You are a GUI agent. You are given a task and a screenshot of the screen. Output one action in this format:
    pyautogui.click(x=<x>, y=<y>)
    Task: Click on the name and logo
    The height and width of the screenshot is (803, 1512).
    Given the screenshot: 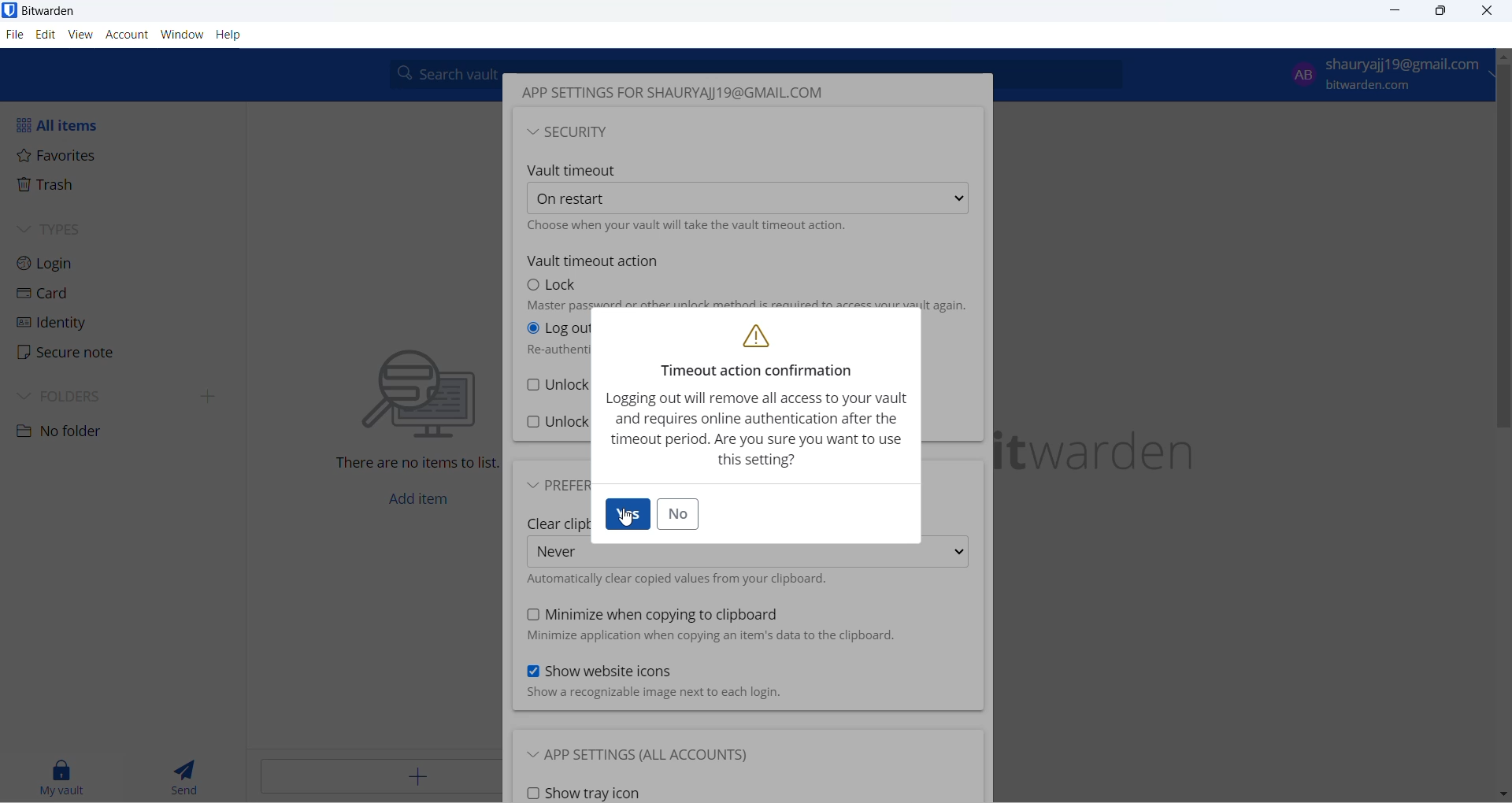 What is the action you would take?
    pyautogui.click(x=1121, y=448)
    